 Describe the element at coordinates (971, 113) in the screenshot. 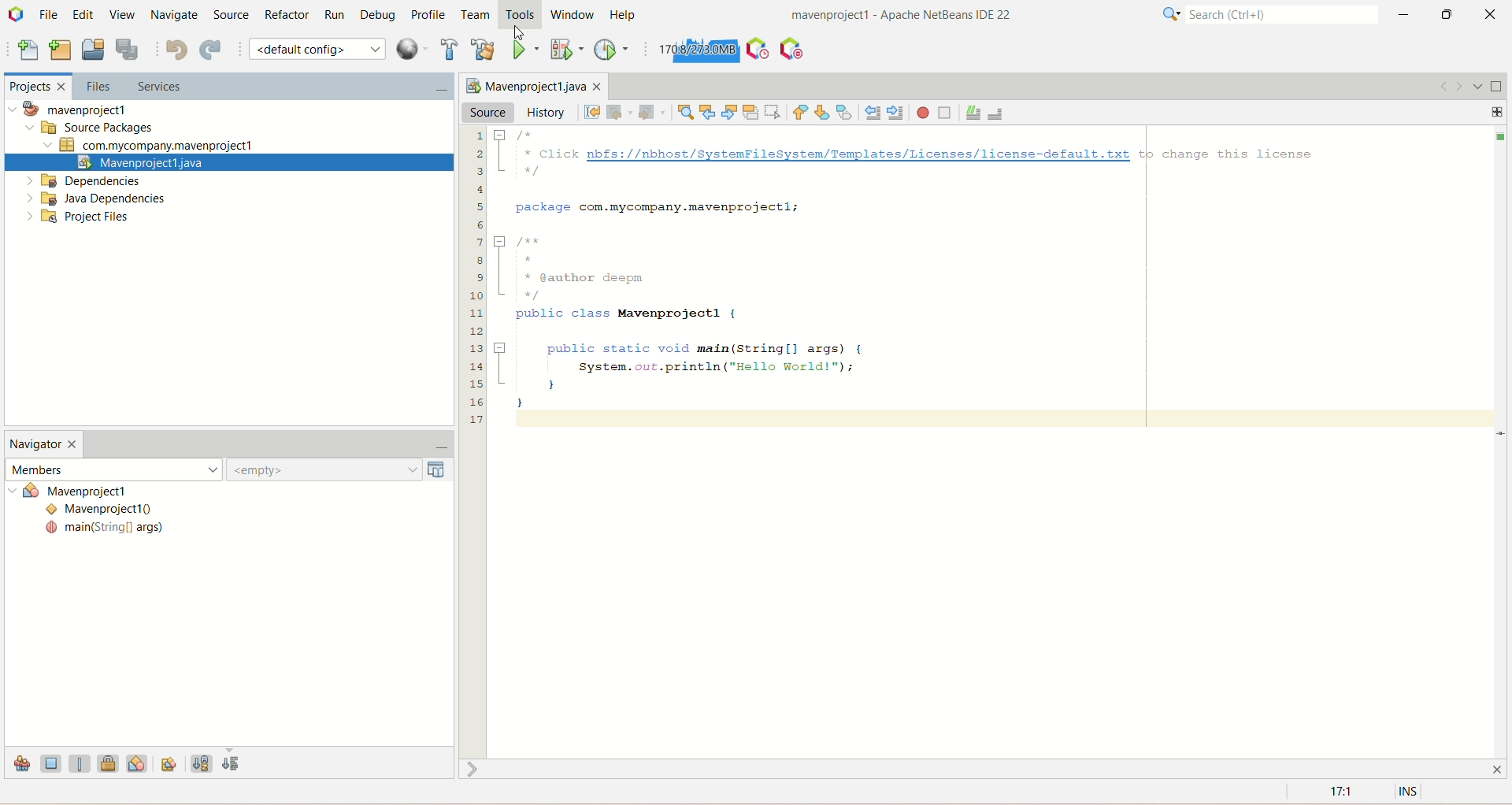

I see `comment` at that location.